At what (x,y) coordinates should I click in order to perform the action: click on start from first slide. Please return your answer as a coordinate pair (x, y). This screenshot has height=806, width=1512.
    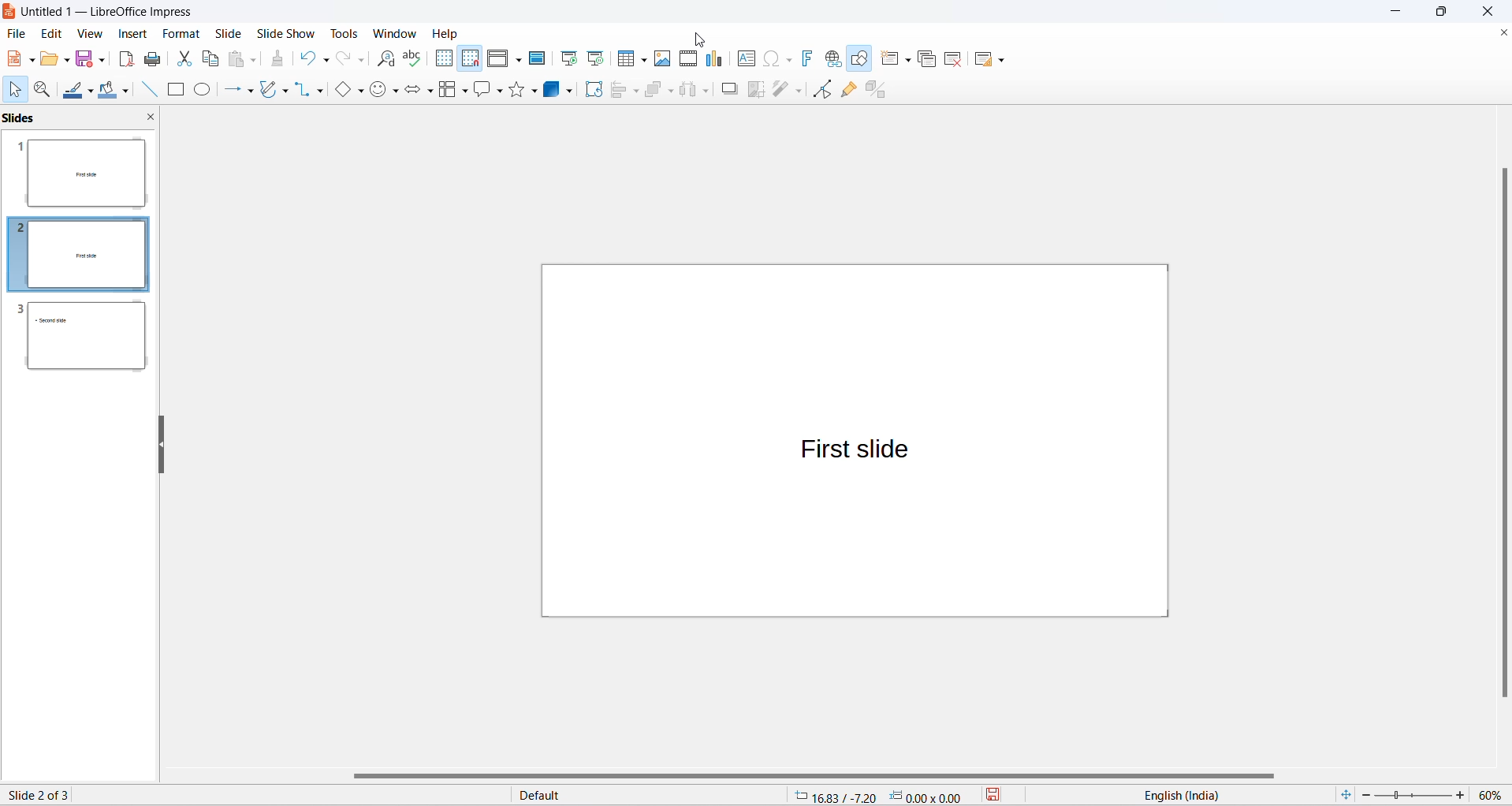
    Looking at the image, I should click on (568, 57).